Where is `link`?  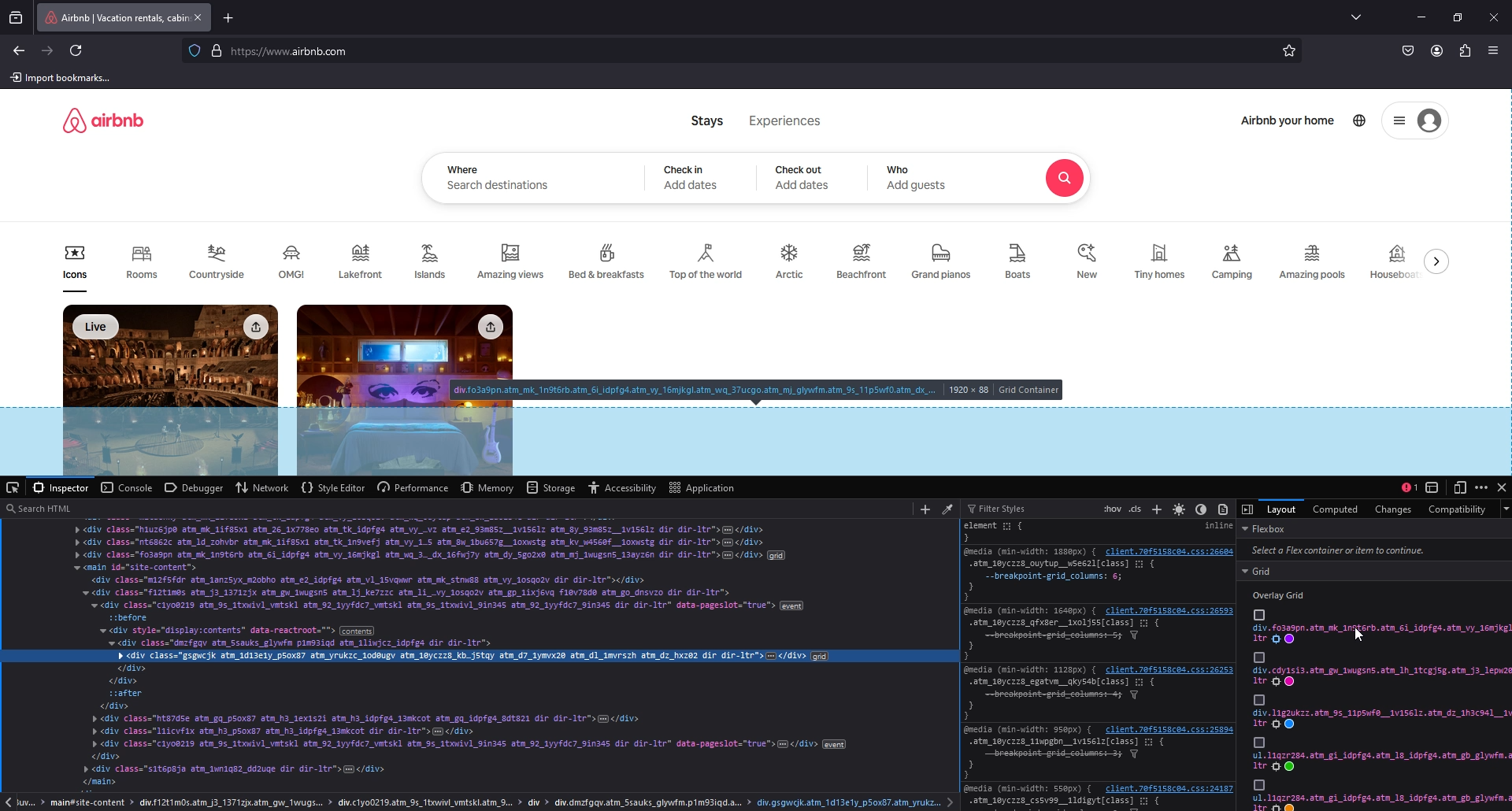 link is located at coordinates (1169, 730).